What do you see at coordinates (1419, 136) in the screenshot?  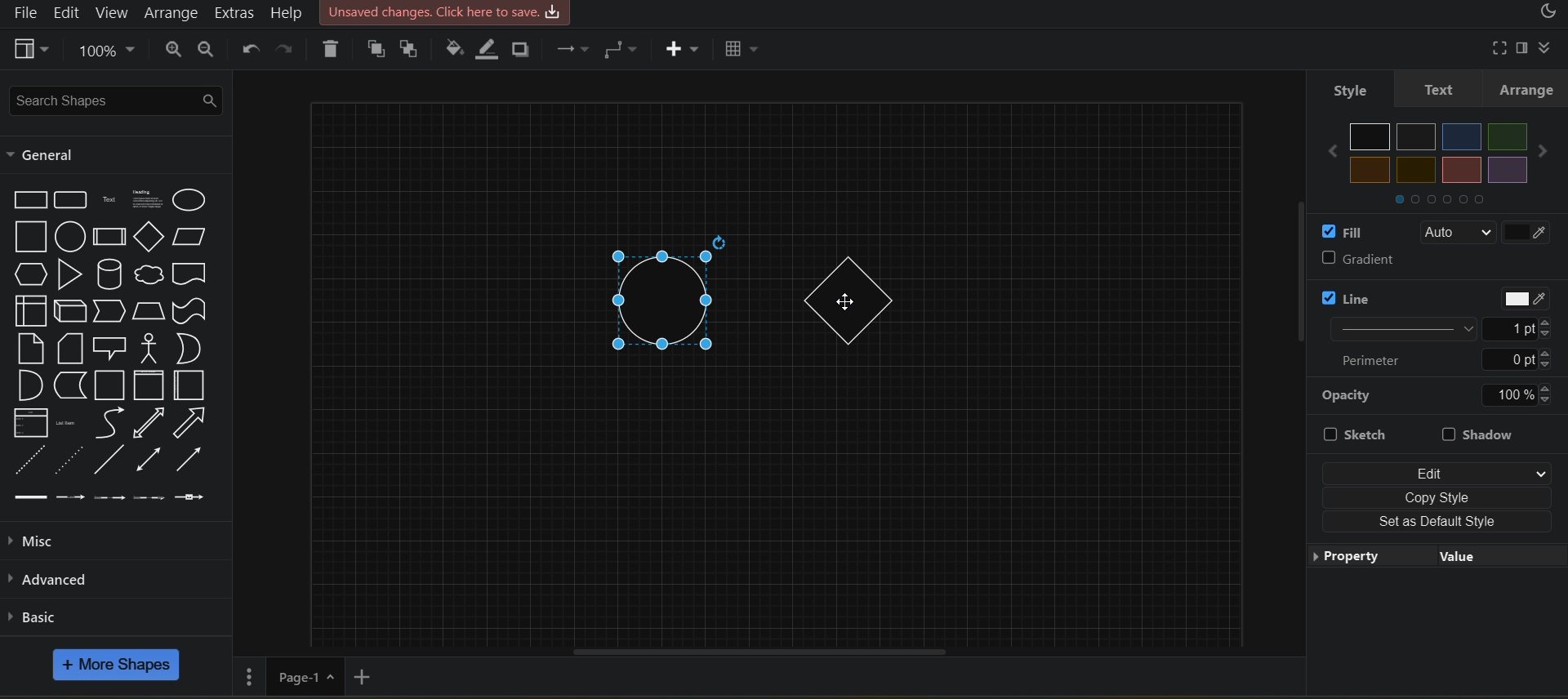 I see `` at bounding box center [1419, 136].